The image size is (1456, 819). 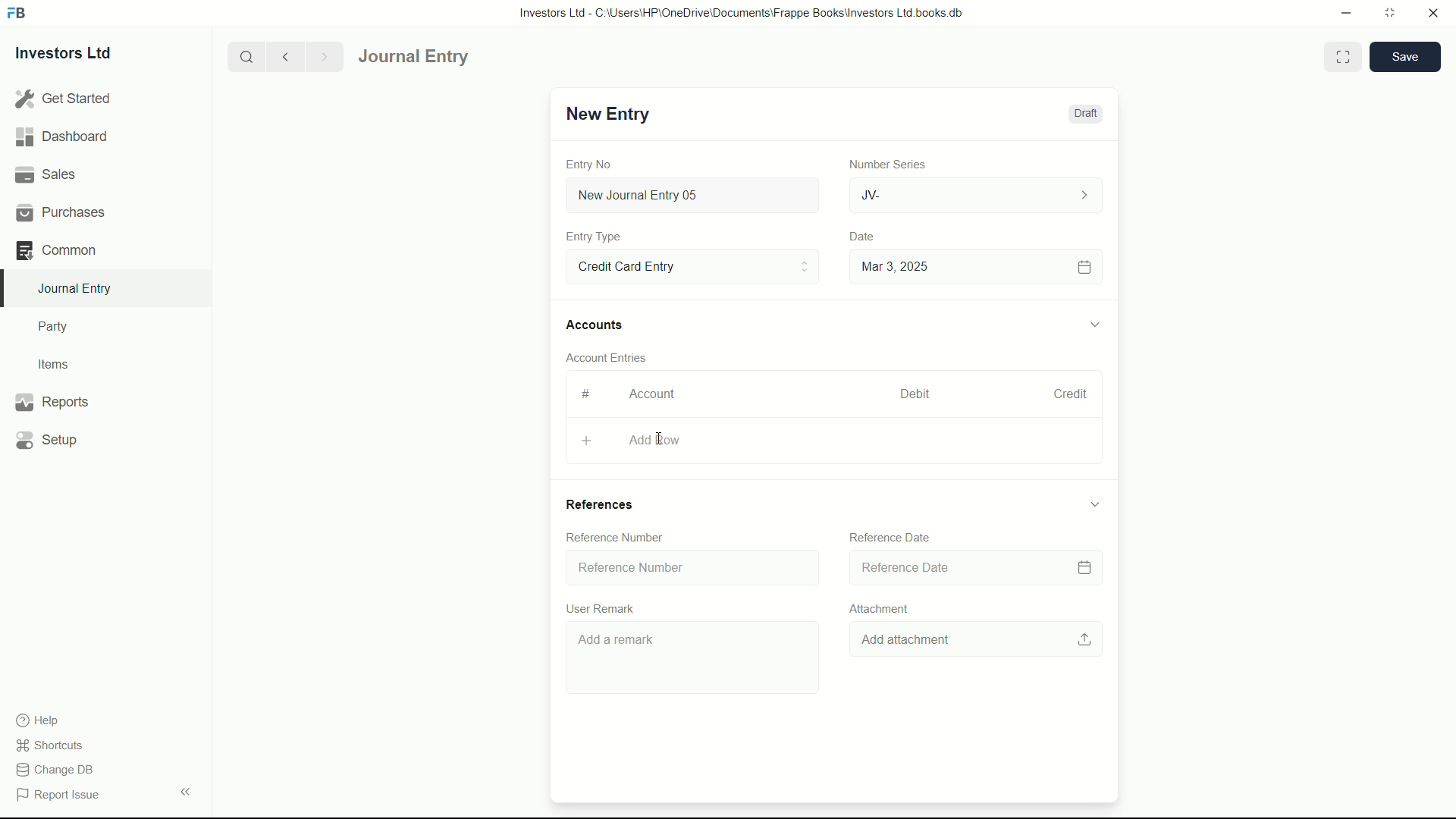 I want to click on Toggle between form and full width, so click(x=1344, y=57).